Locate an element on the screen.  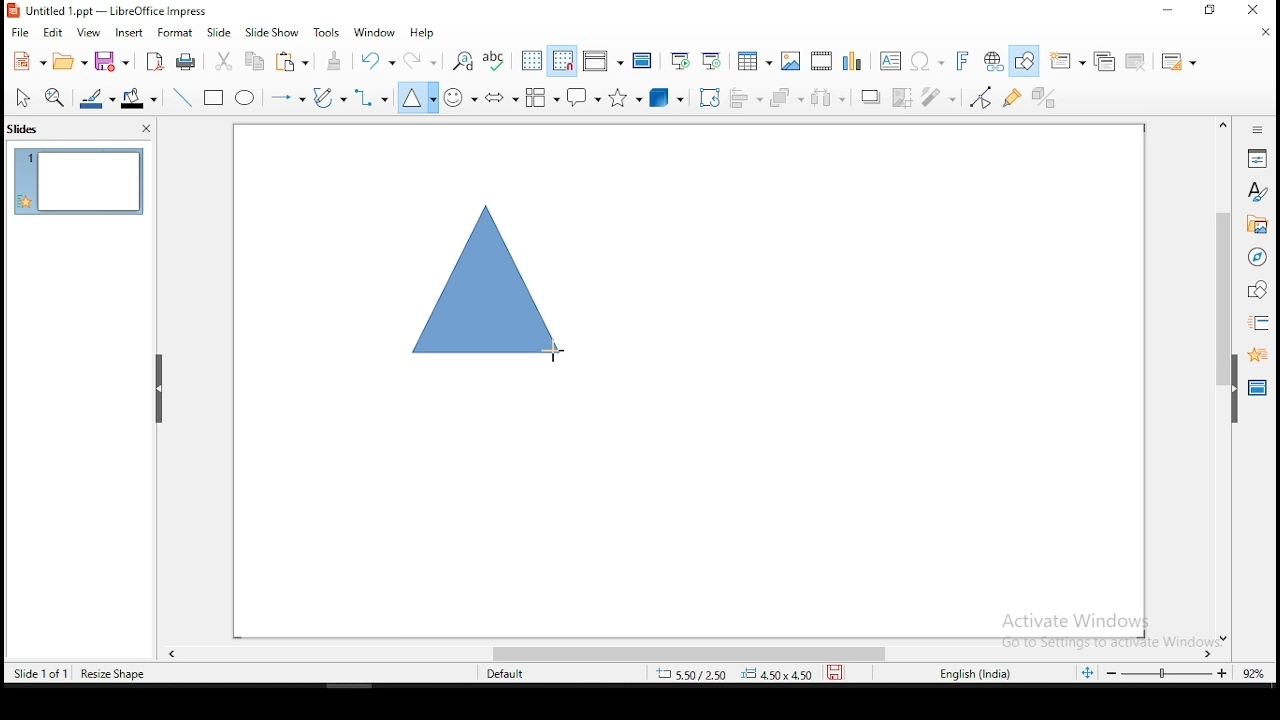
properties is located at coordinates (1259, 157).